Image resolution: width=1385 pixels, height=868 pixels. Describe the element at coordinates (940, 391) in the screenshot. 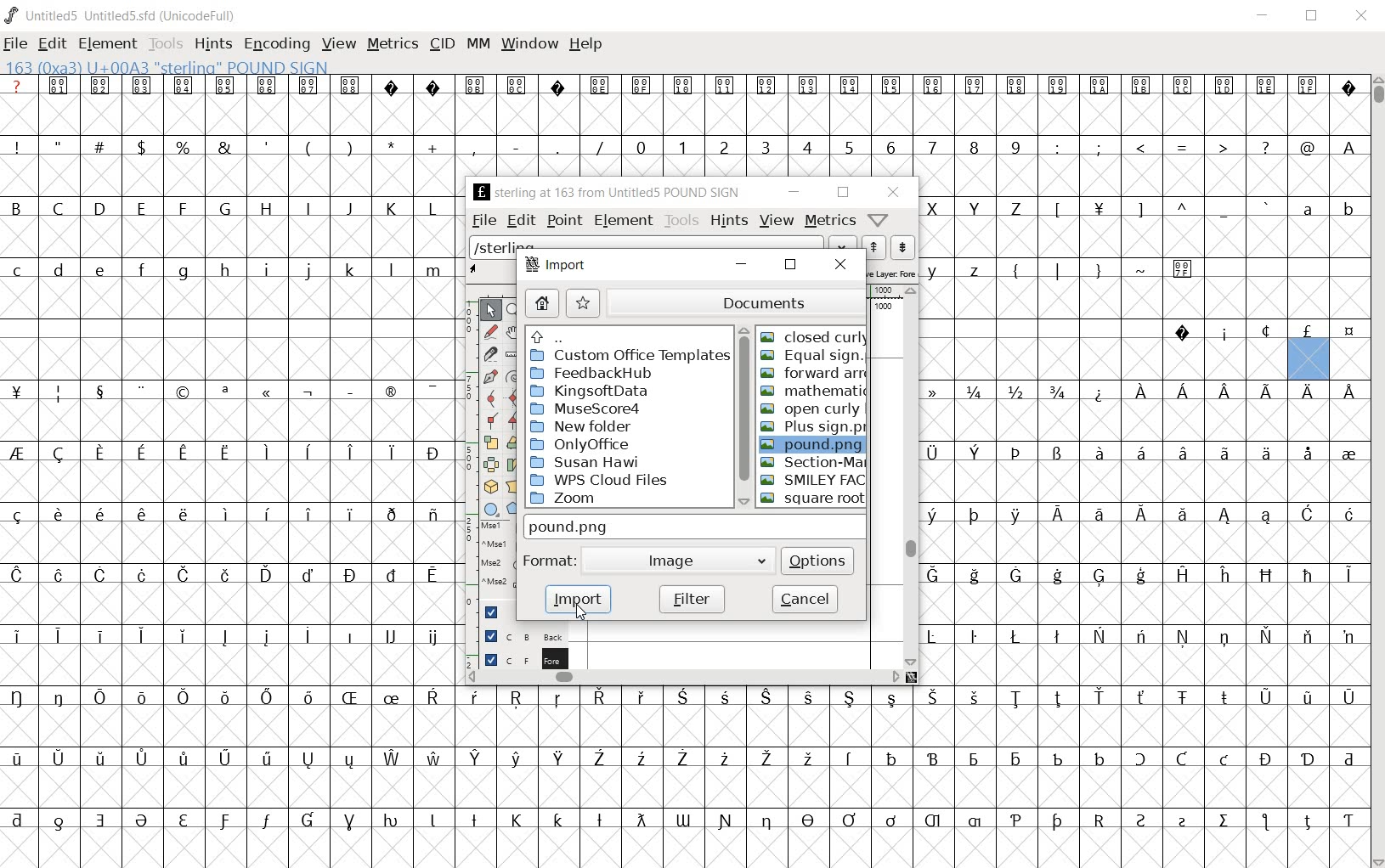

I see `Symbol` at that location.